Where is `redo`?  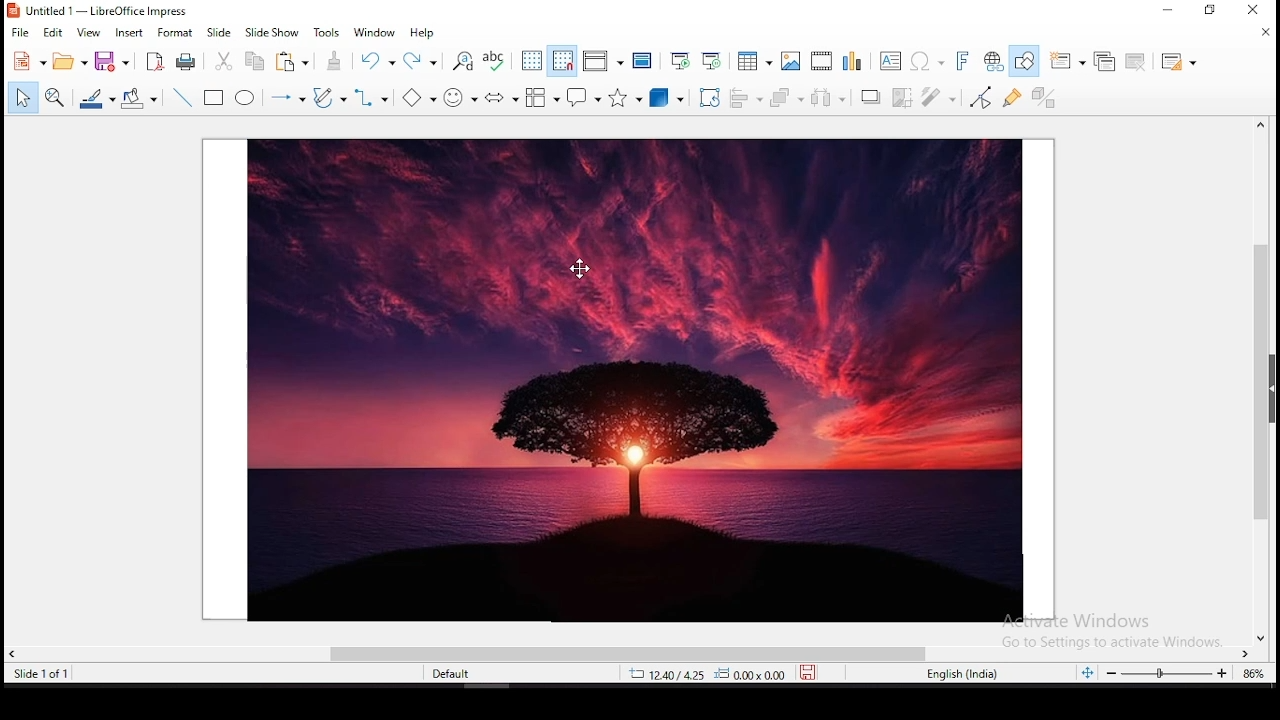
redo is located at coordinates (421, 59).